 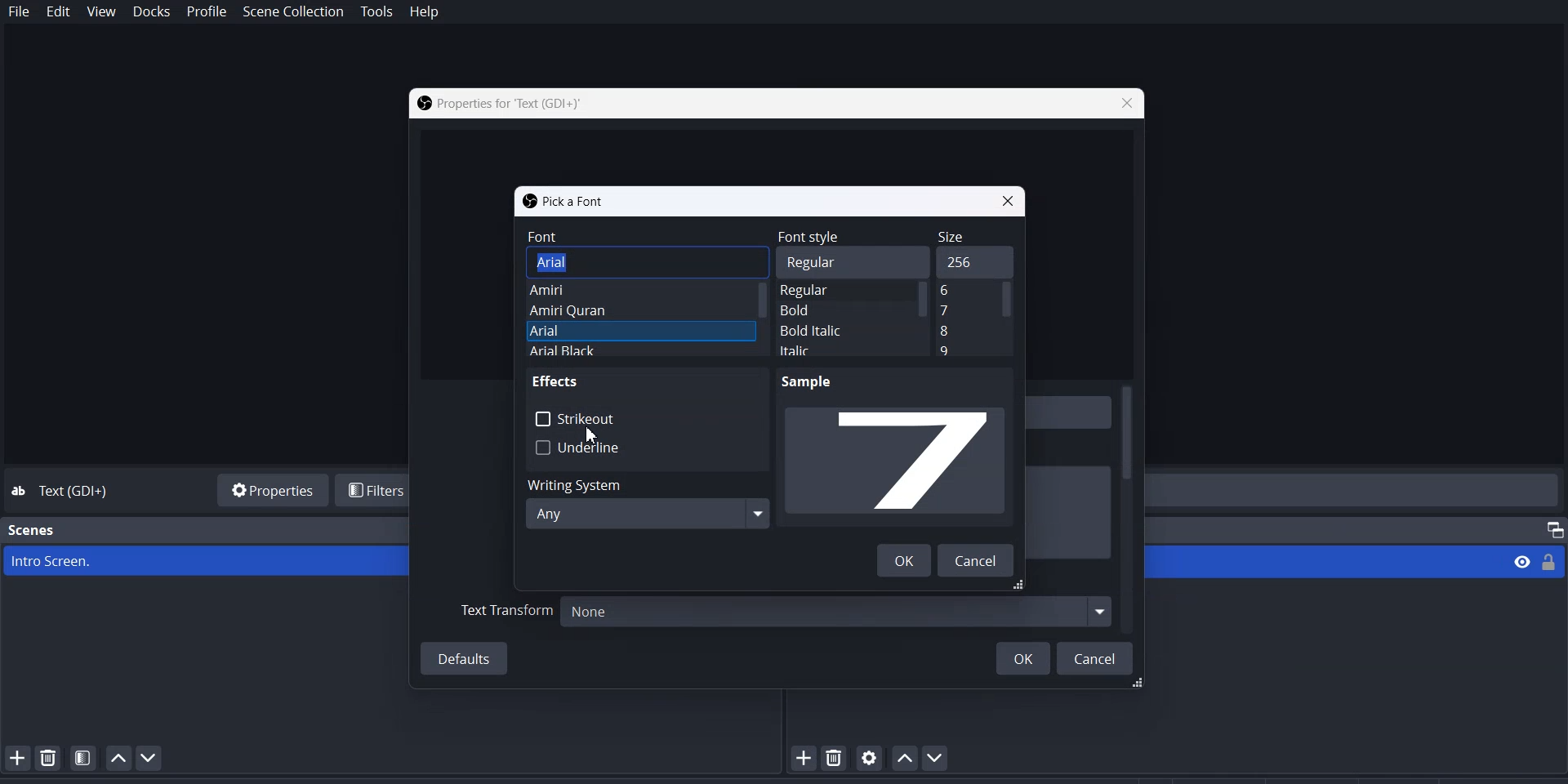 I want to click on Bold, so click(x=819, y=310).